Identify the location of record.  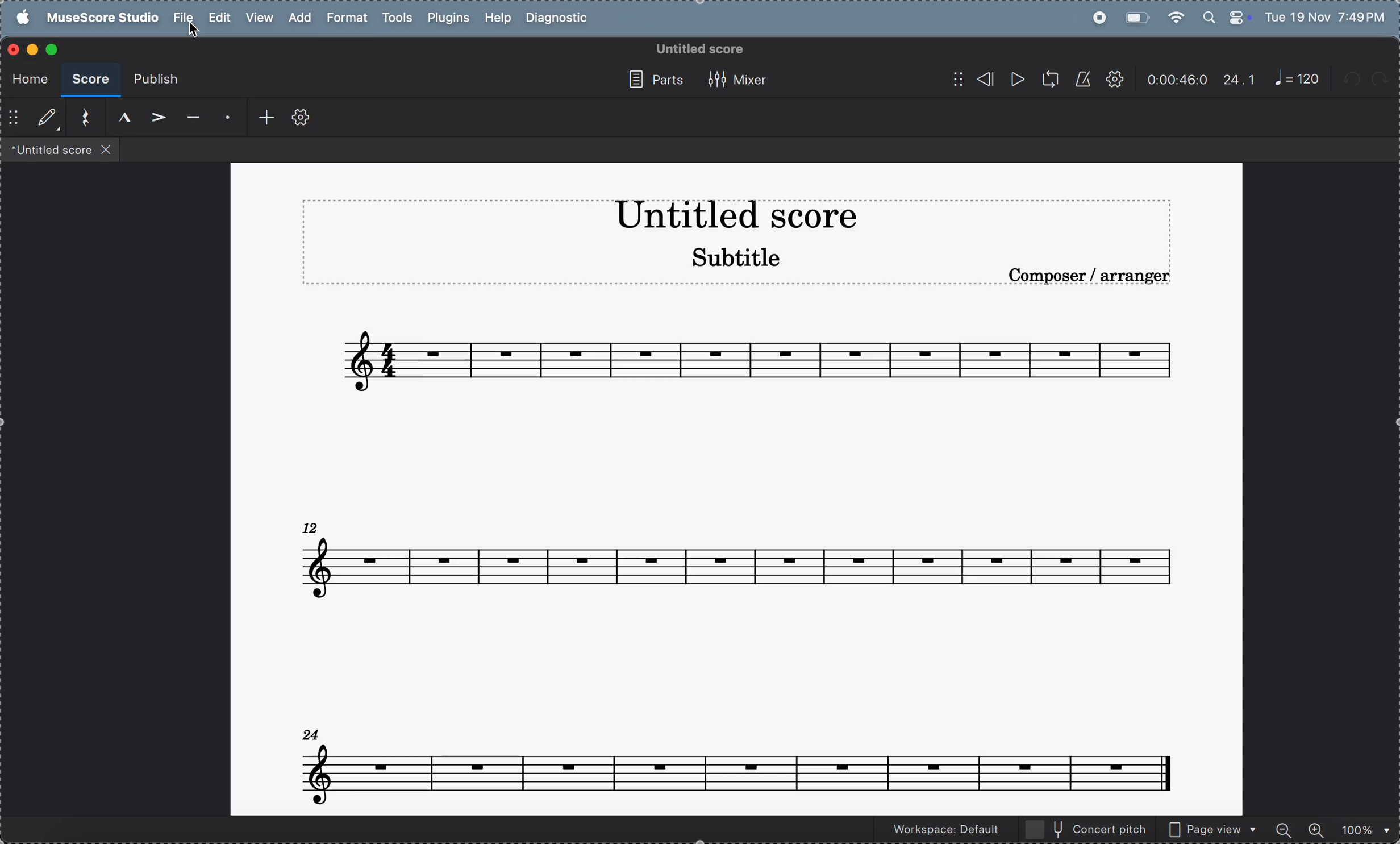
(1096, 18).